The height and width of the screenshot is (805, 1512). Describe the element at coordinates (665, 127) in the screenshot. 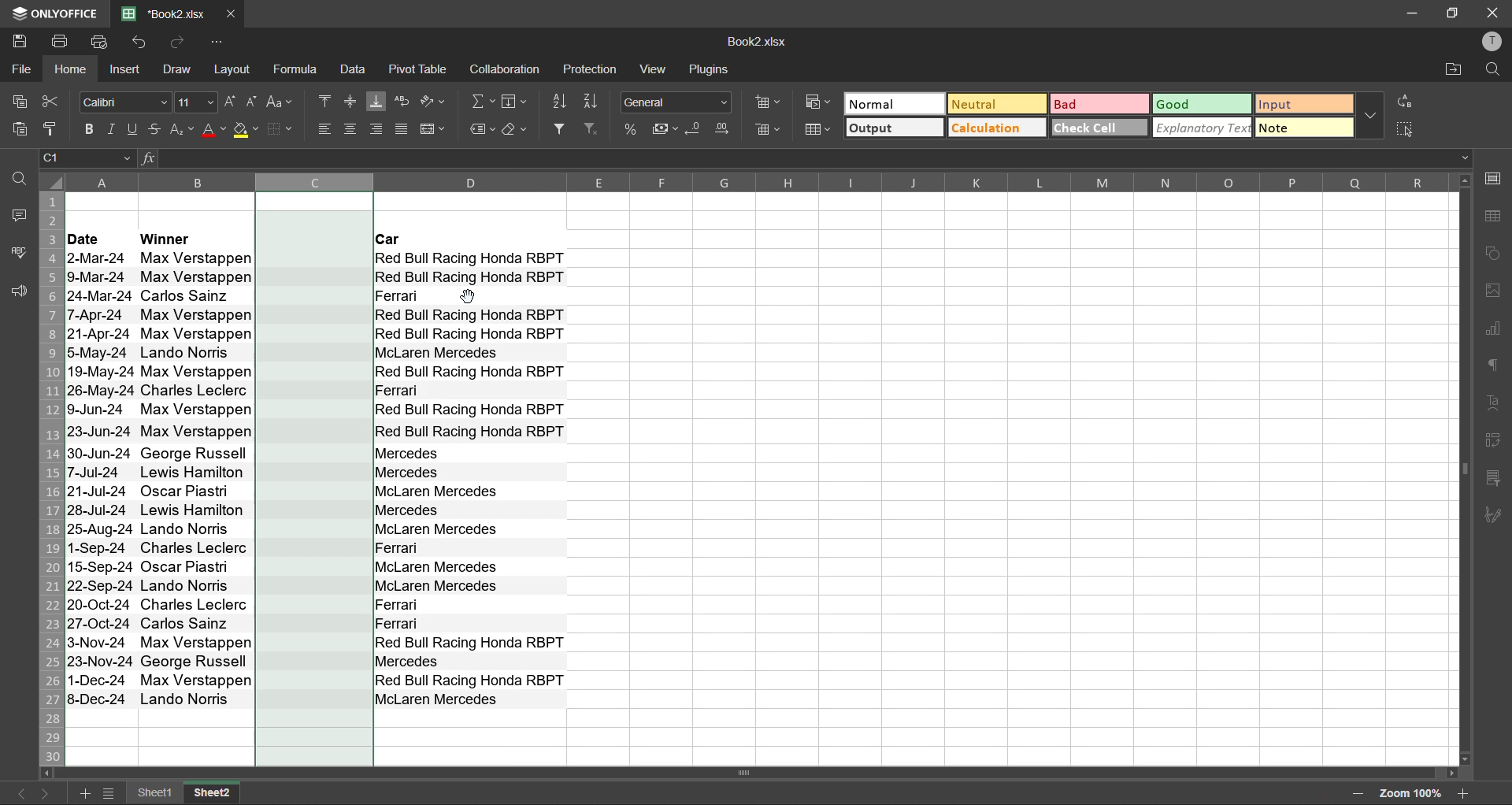

I see `accounting` at that location.